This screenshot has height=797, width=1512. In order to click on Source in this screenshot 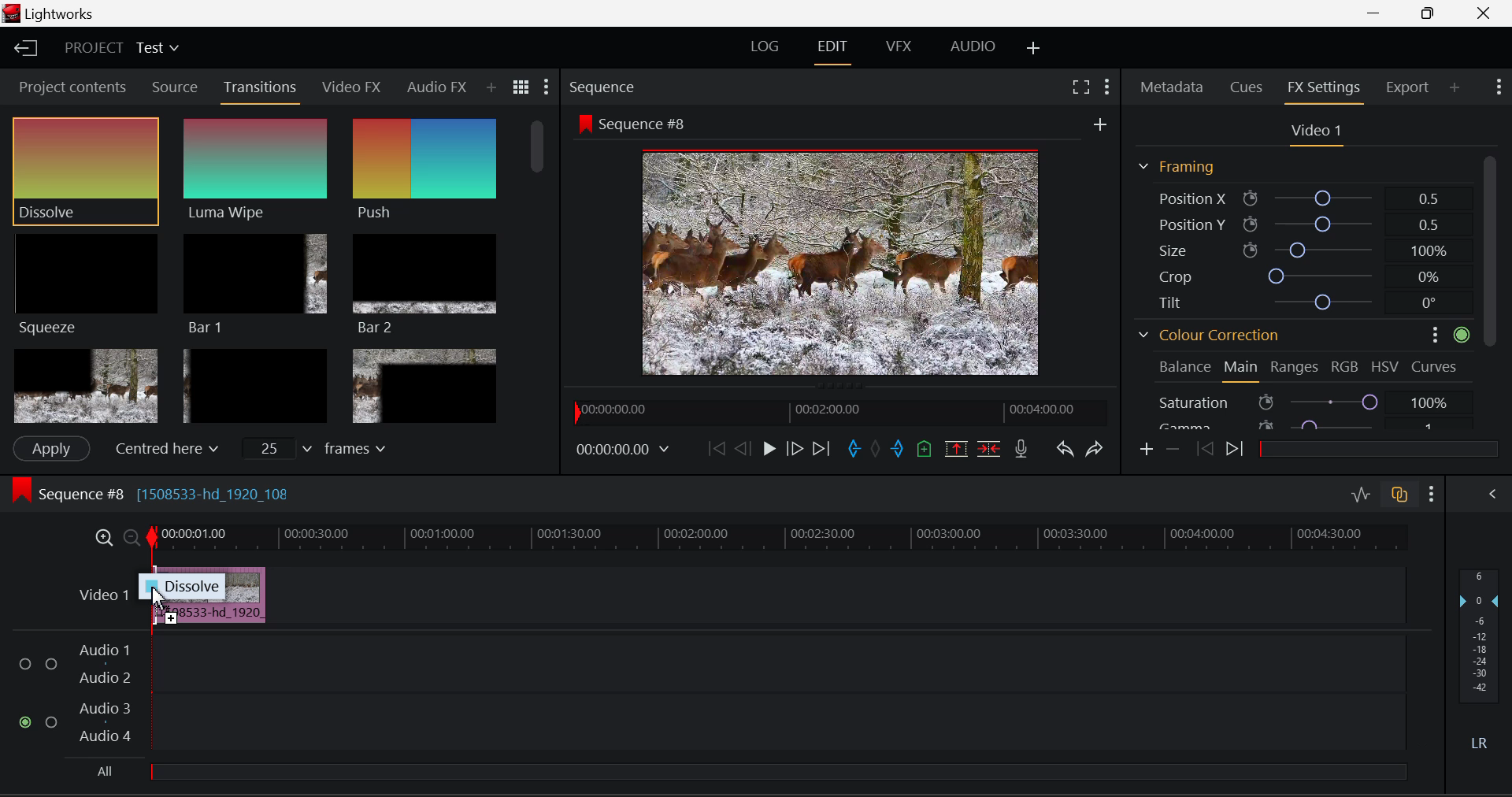, I will do `click(176, 87)`.